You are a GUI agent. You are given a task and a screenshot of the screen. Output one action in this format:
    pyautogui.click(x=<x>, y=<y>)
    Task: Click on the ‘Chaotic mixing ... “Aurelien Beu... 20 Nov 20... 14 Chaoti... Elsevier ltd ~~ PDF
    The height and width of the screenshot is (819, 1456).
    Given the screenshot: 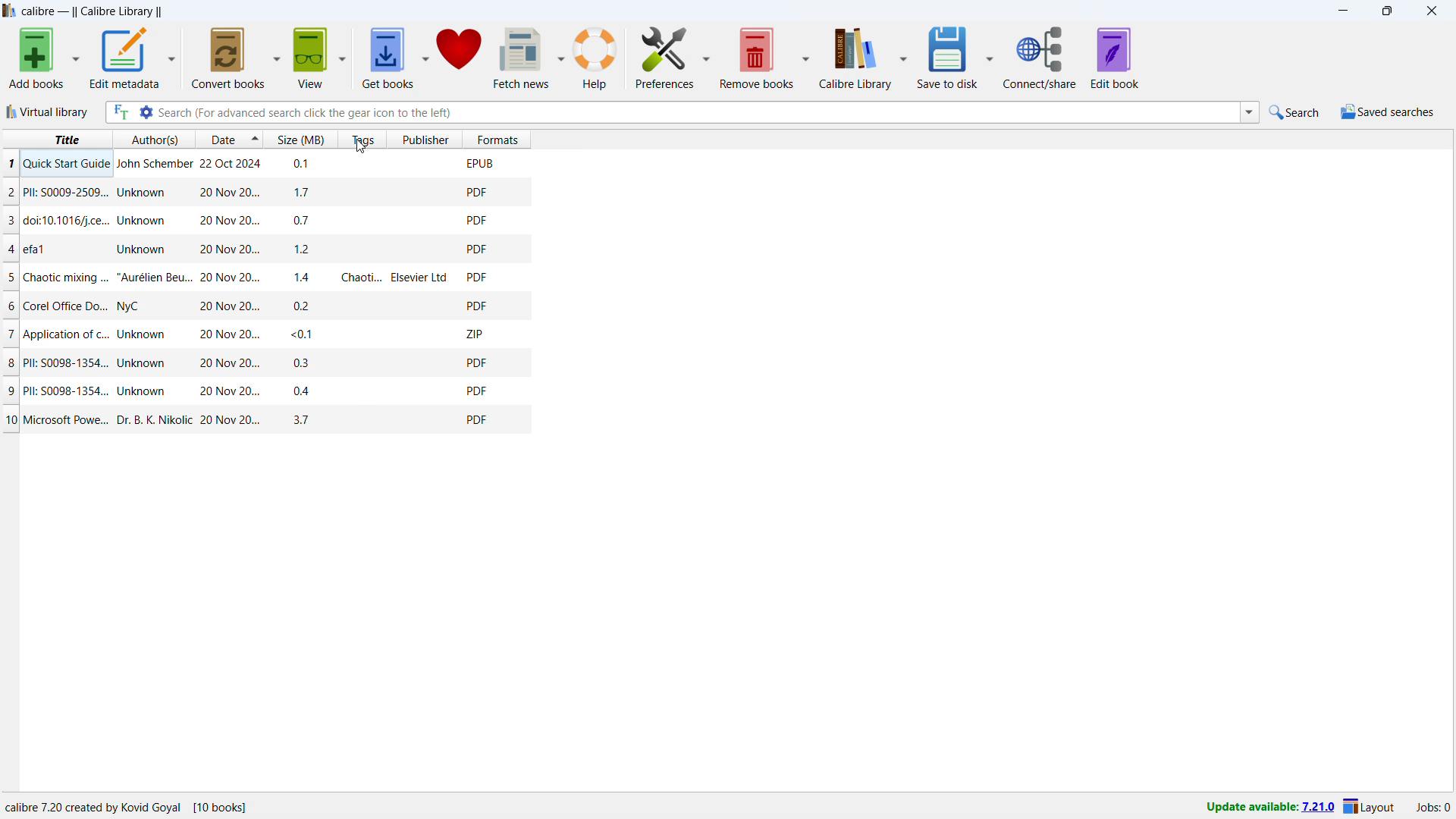 What is the action you would take?
    pyautogui.click(x=267, y=278)
    